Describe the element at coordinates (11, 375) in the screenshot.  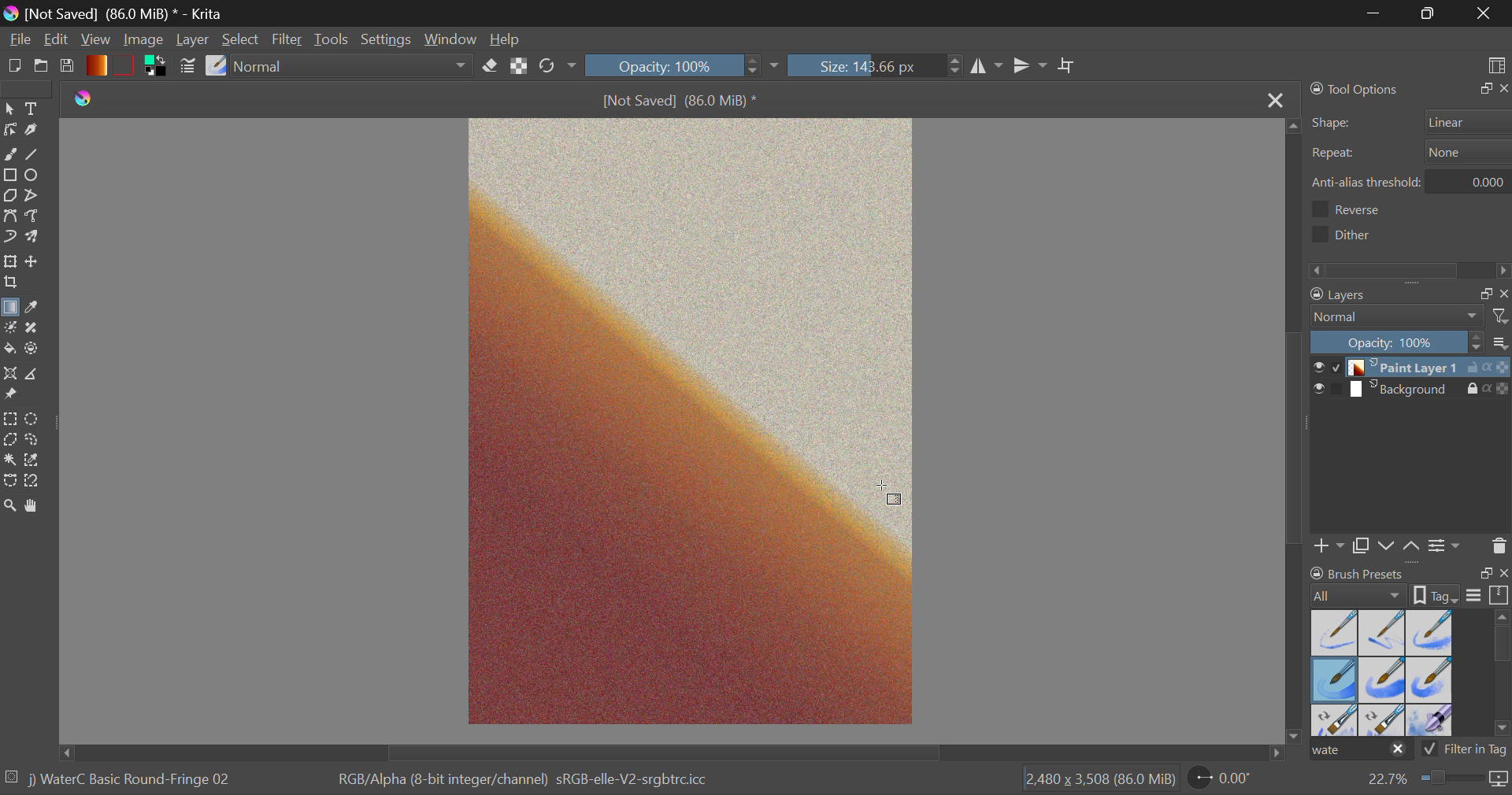
I see `Assistant Tool` at that location.